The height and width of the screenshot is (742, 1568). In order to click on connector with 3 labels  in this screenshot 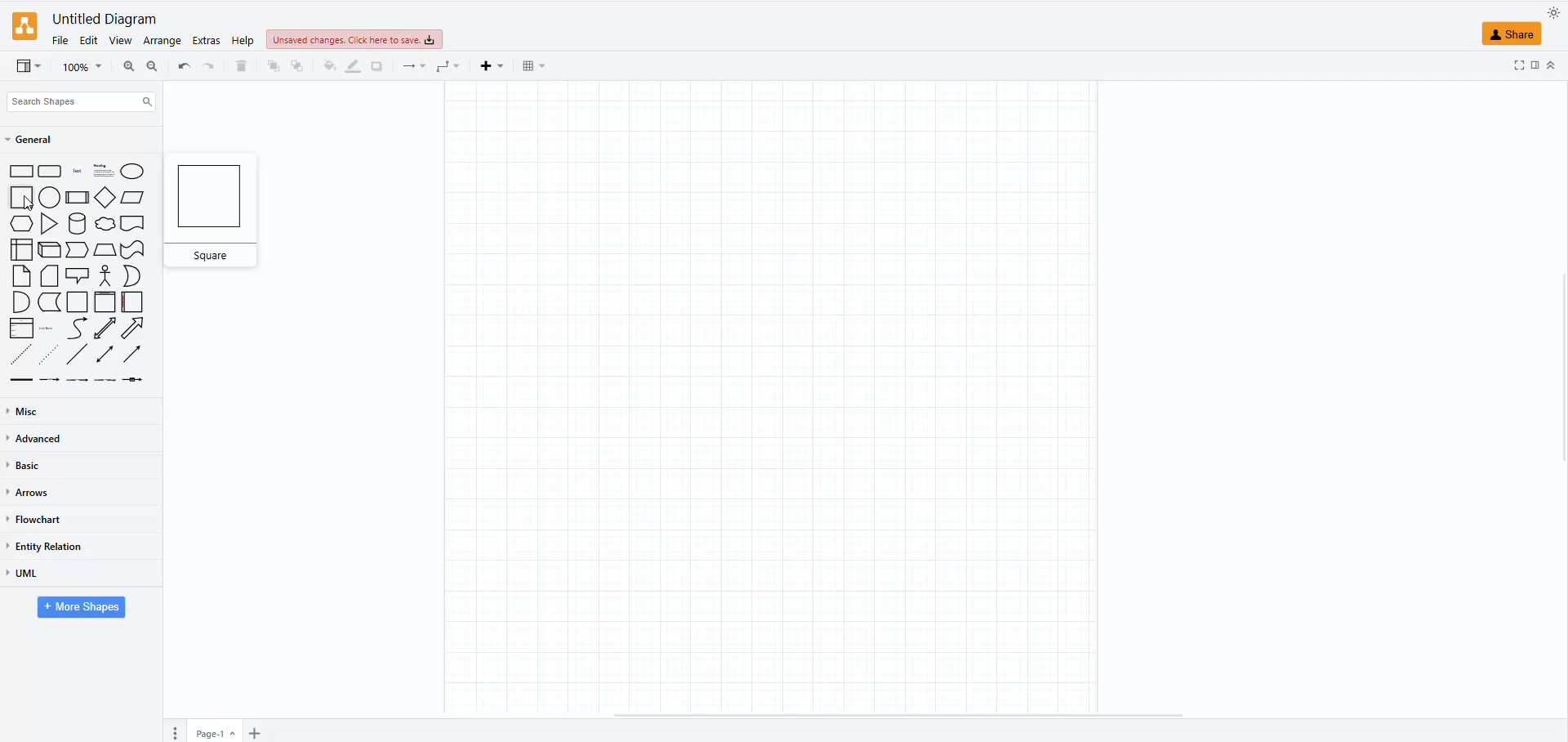, I will do `click(105, 380)`.